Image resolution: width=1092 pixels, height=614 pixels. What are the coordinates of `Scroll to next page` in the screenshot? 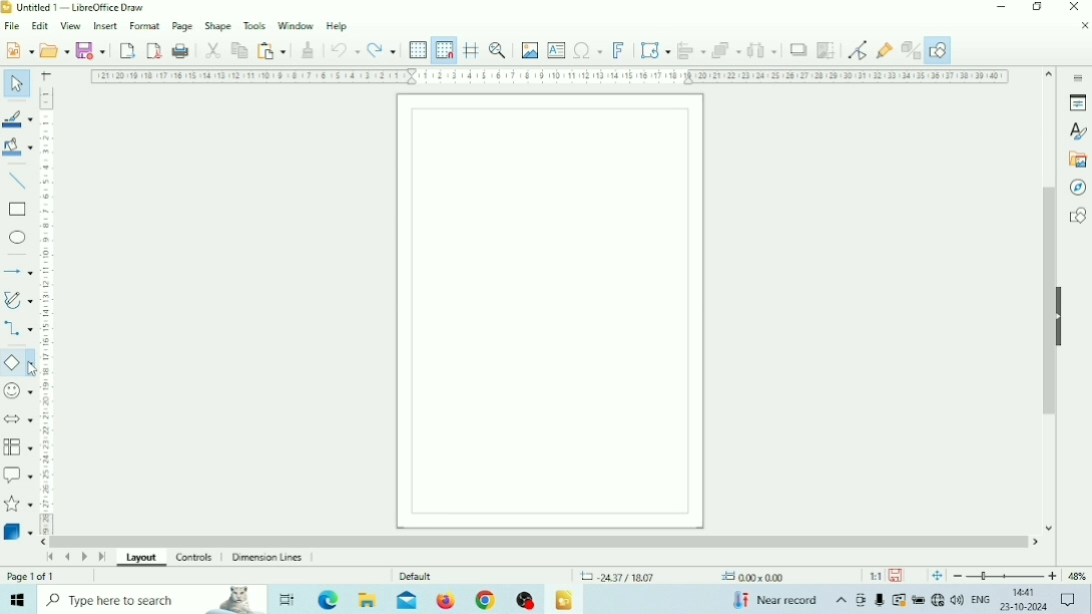 It's located at (85, 557).